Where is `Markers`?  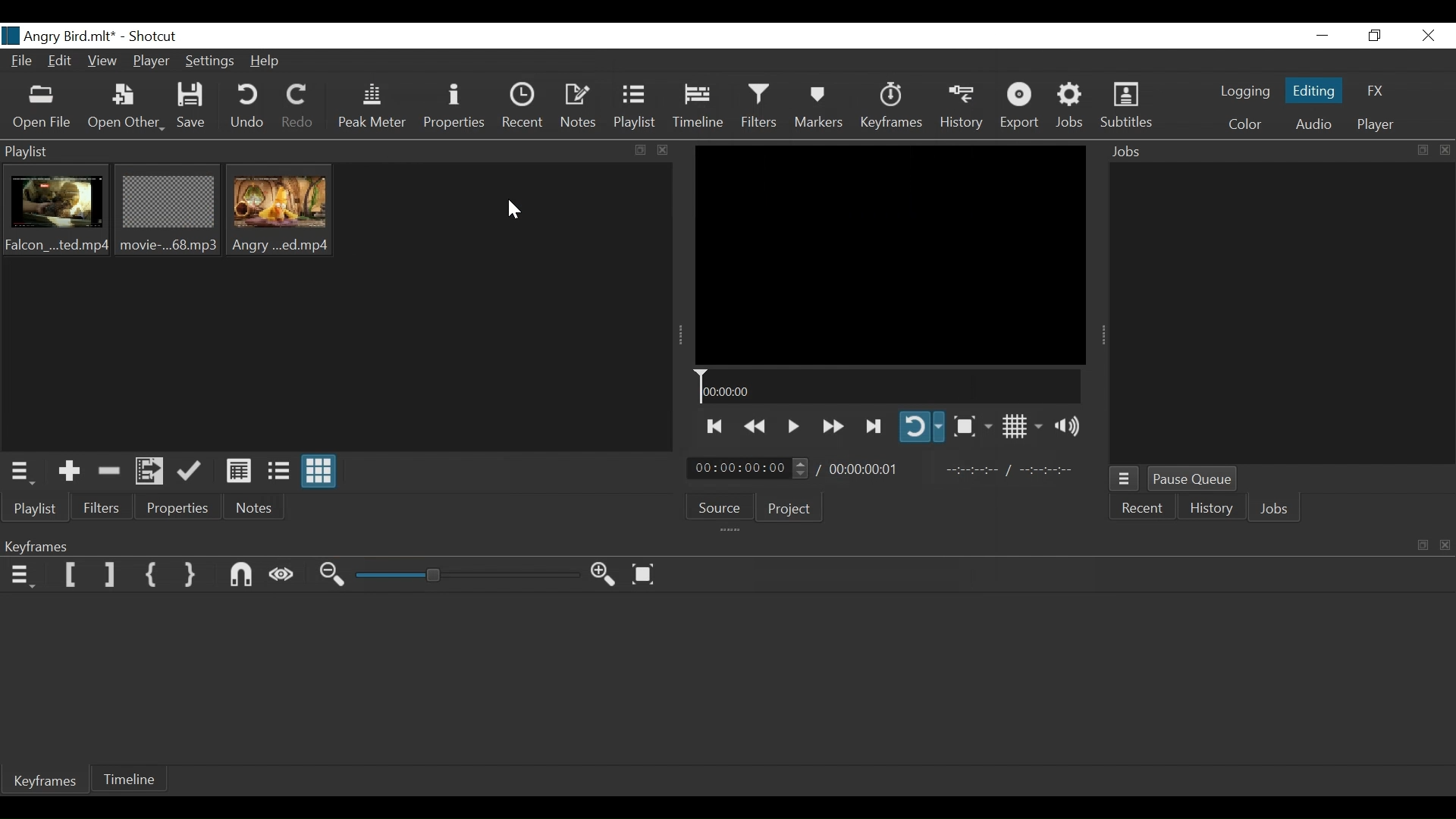
Markers is located at coordinates (820, 106).